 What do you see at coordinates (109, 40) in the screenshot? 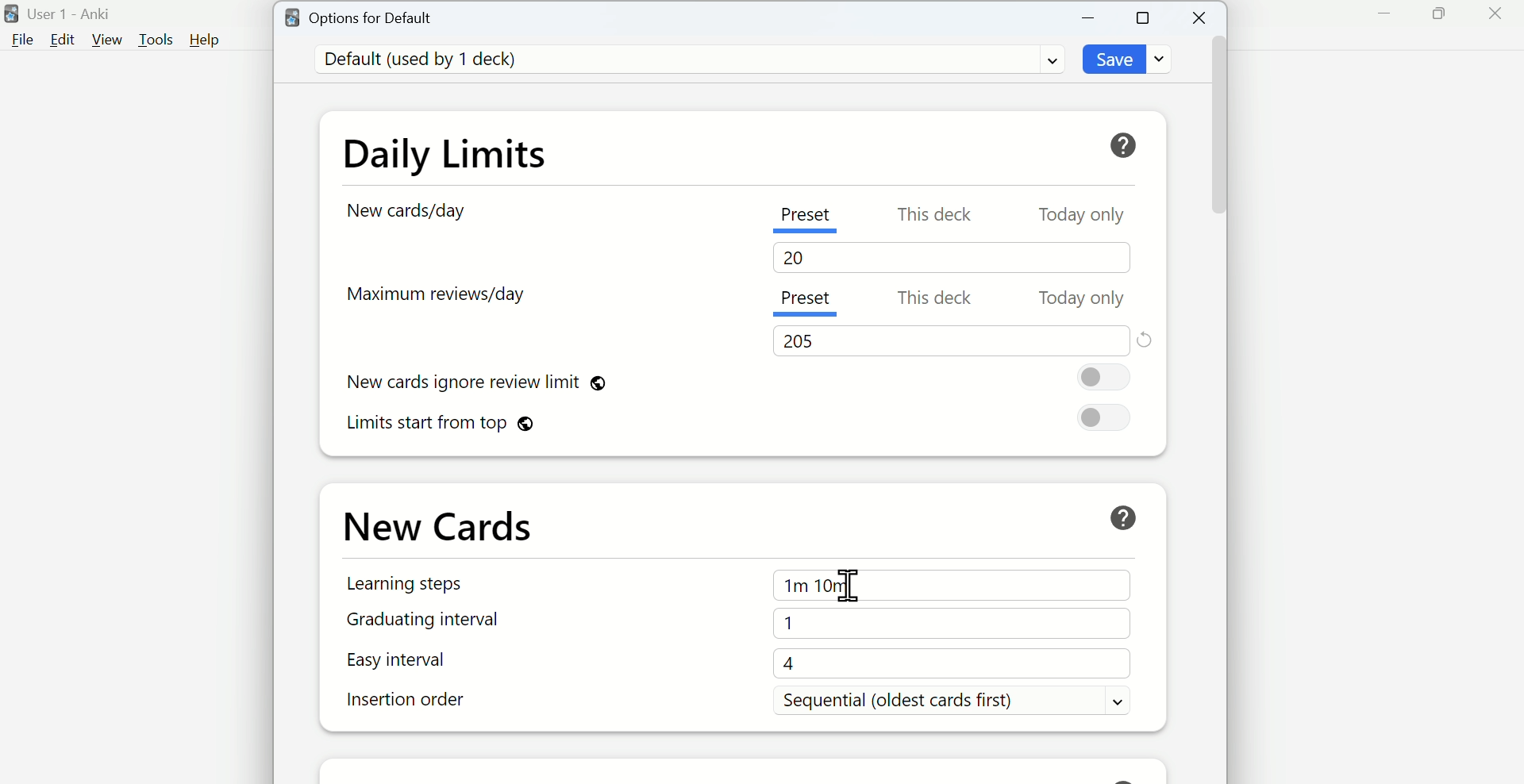
I see `View` at bounding box center [109, 40].